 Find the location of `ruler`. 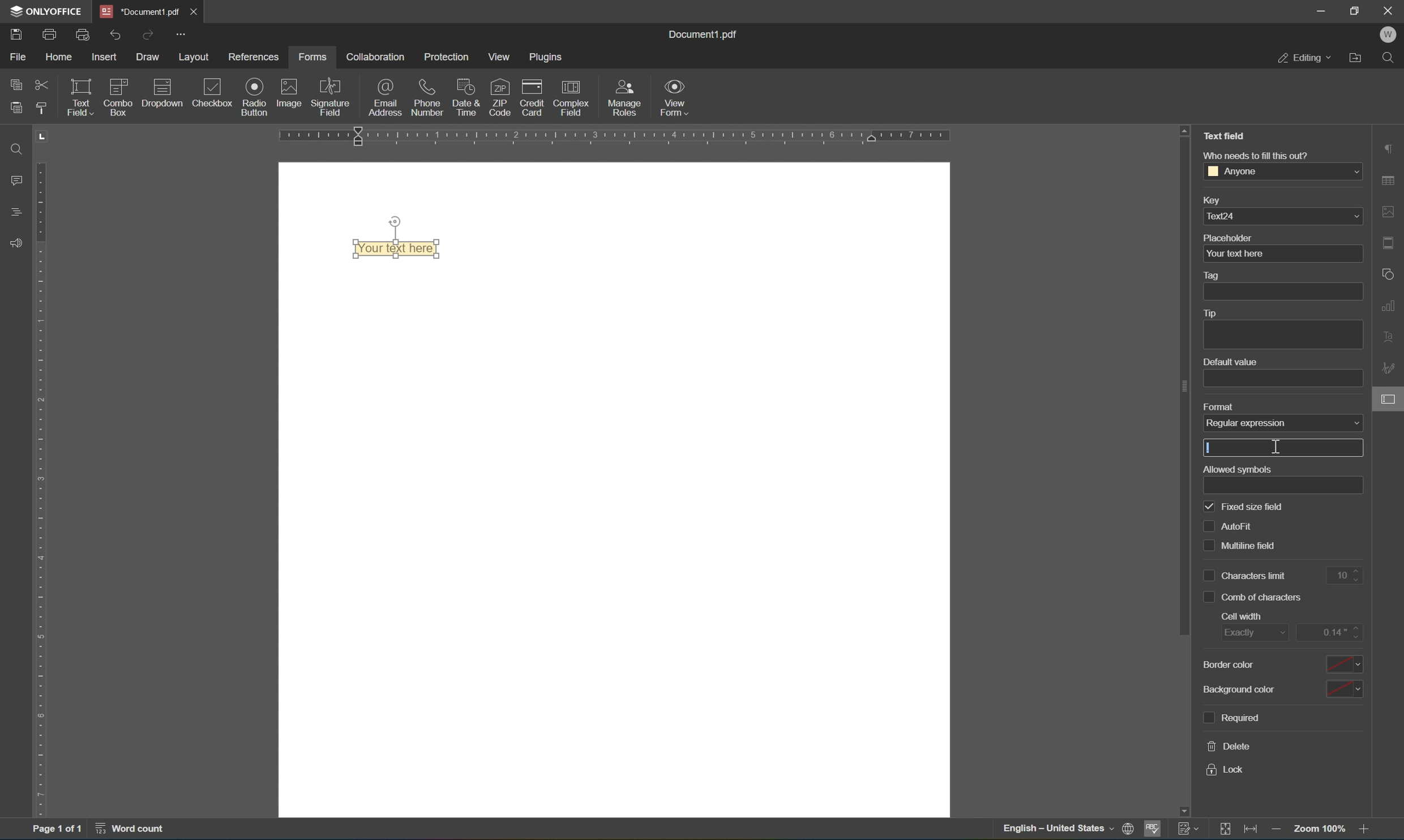

ruler is located at coordinates (44, 488).